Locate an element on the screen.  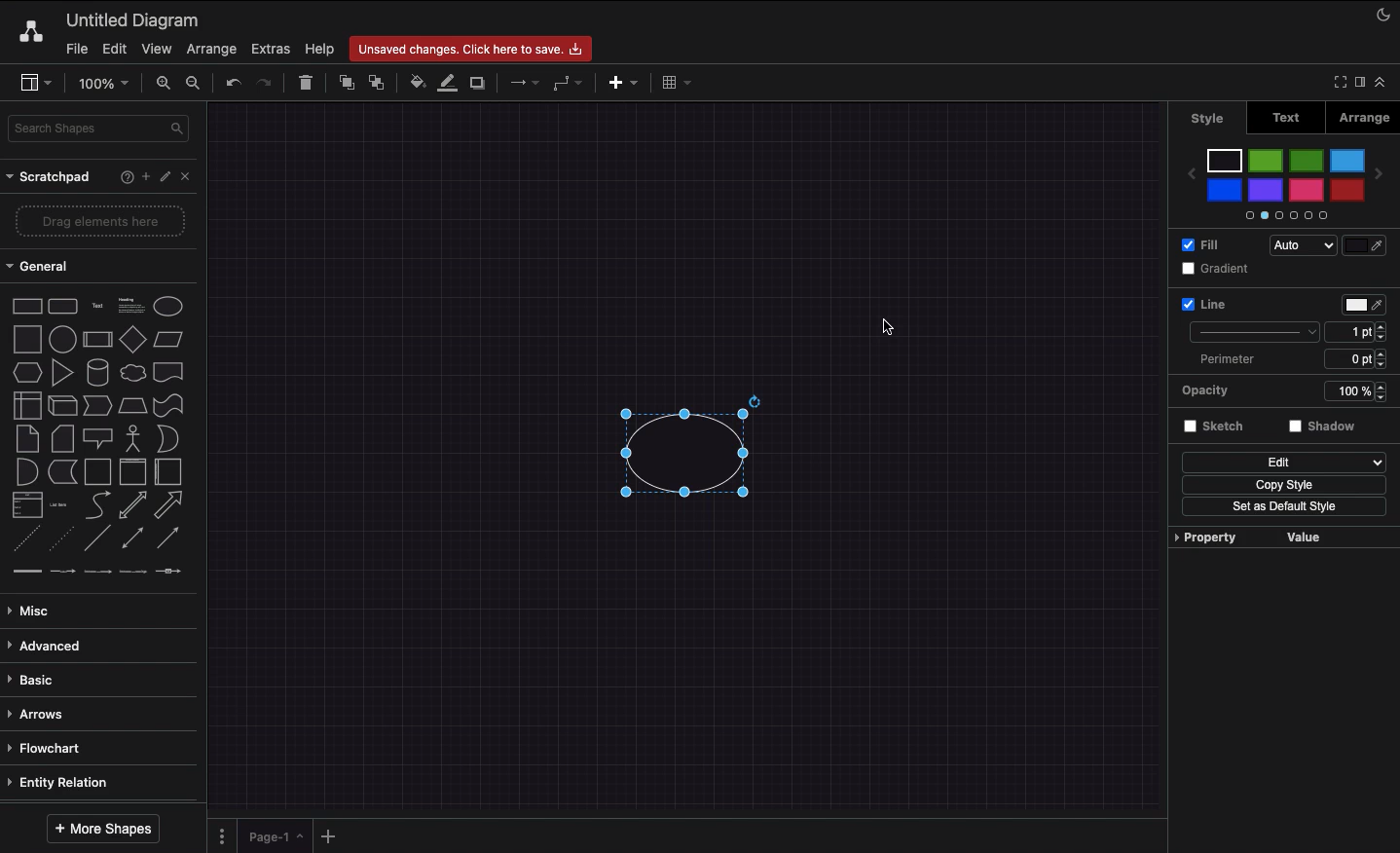
Container is located at coordinates (97, 471).